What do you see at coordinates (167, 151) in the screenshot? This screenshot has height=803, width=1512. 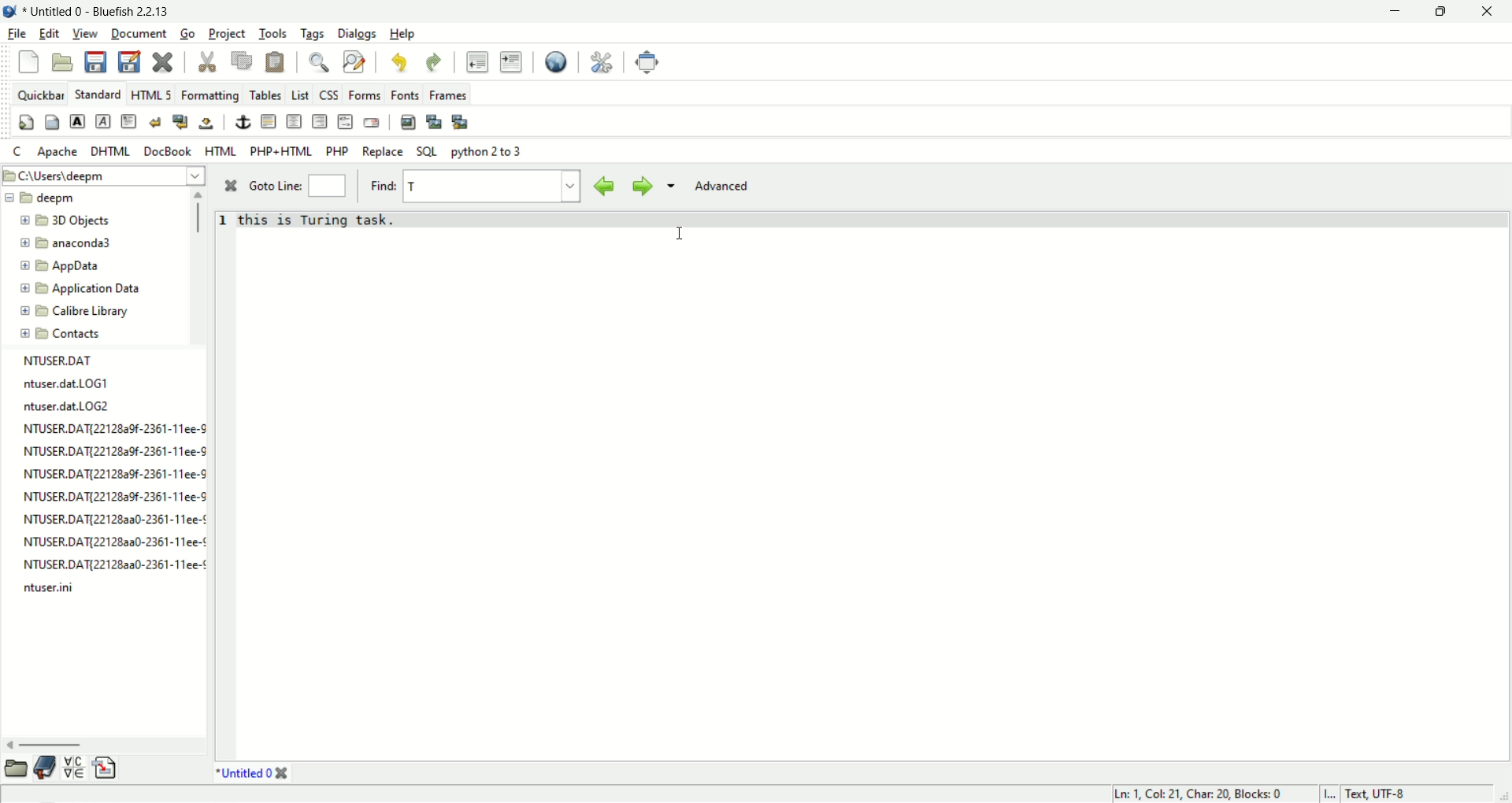 I see `DocBook` at bounding box center [167, 151].